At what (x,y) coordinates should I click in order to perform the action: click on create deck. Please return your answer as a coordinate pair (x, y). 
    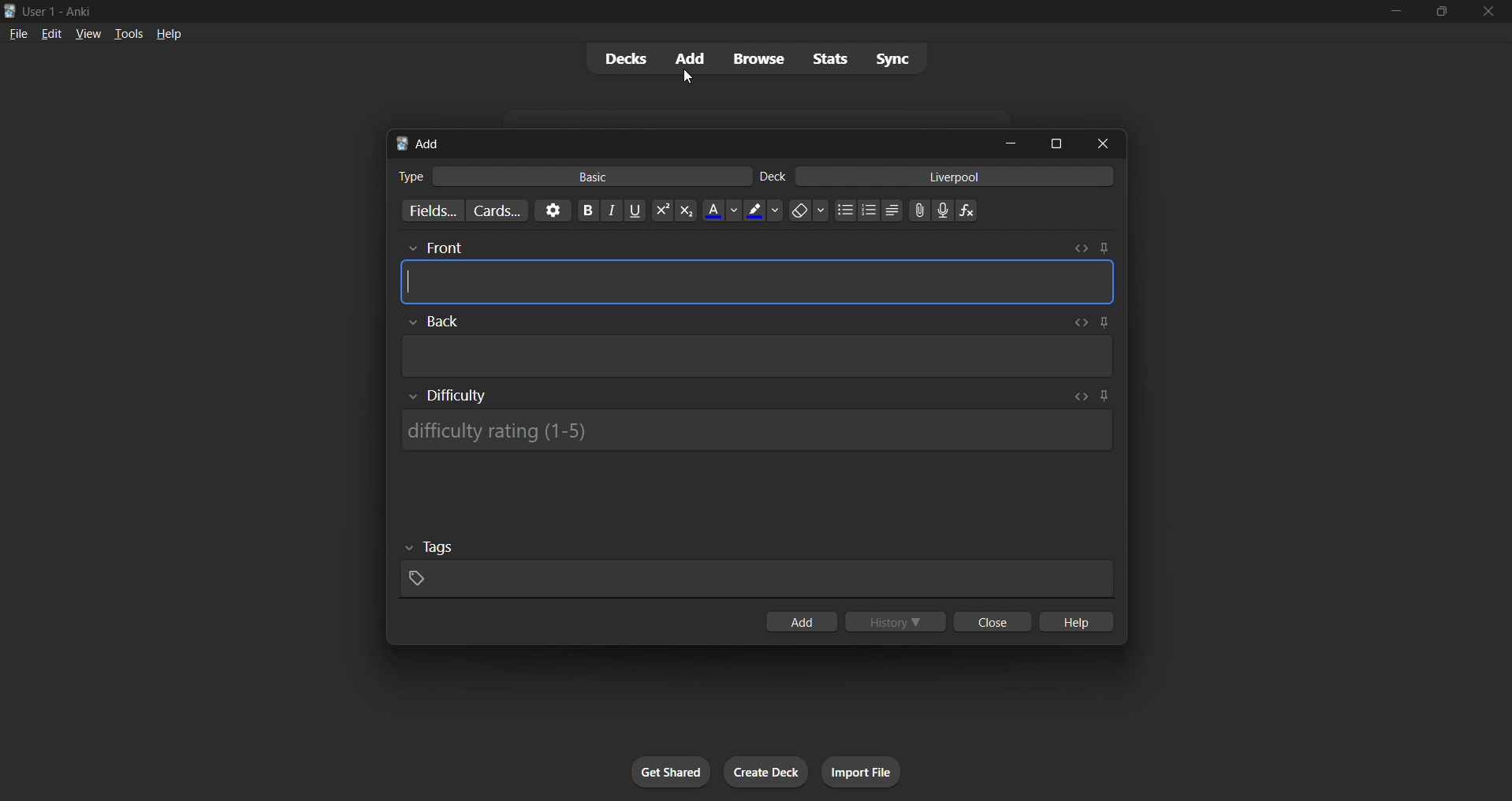
    Looking at the image, I should click on (767, 773).